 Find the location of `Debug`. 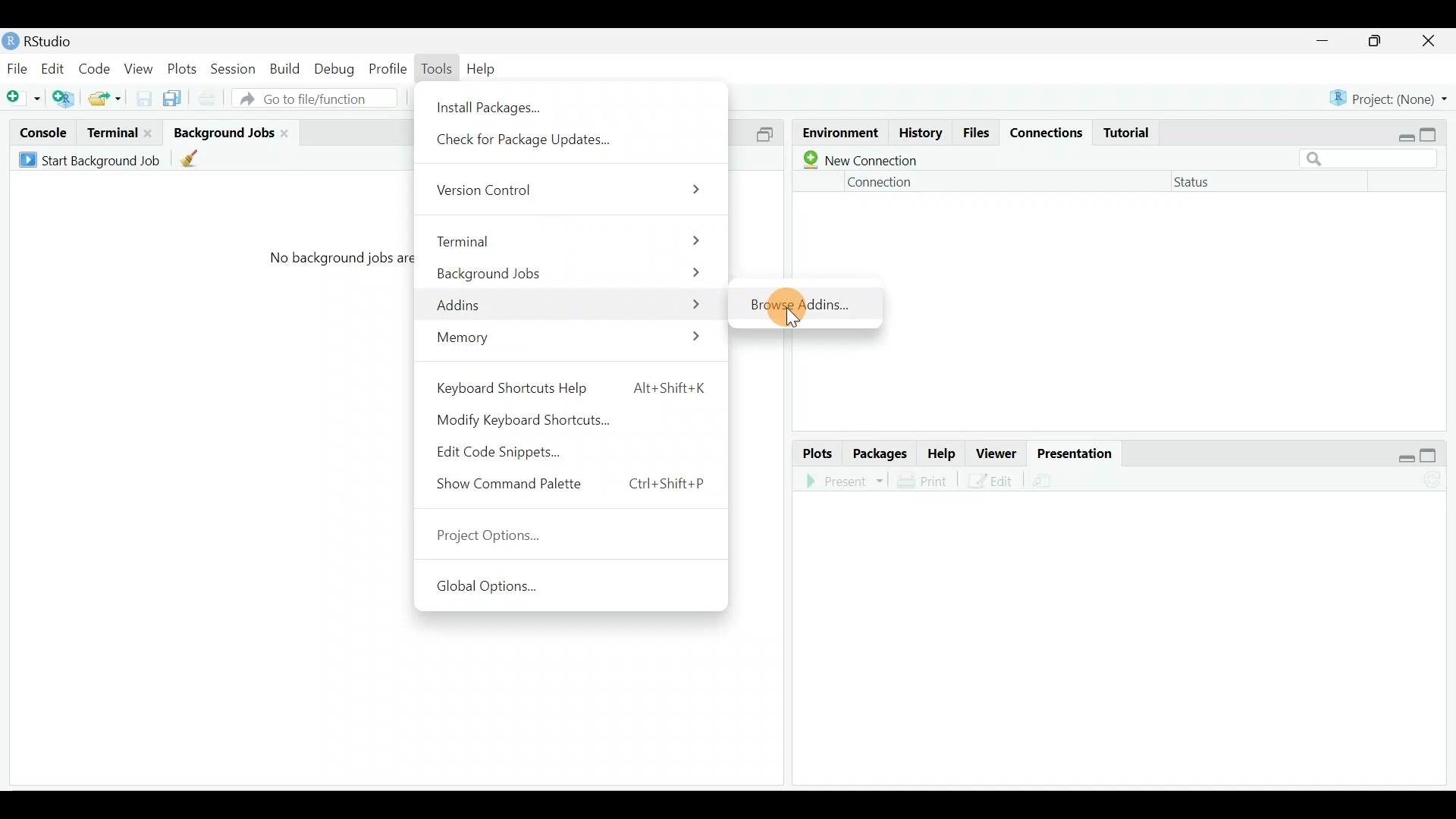

Debug is located at coordinates (337, 67).